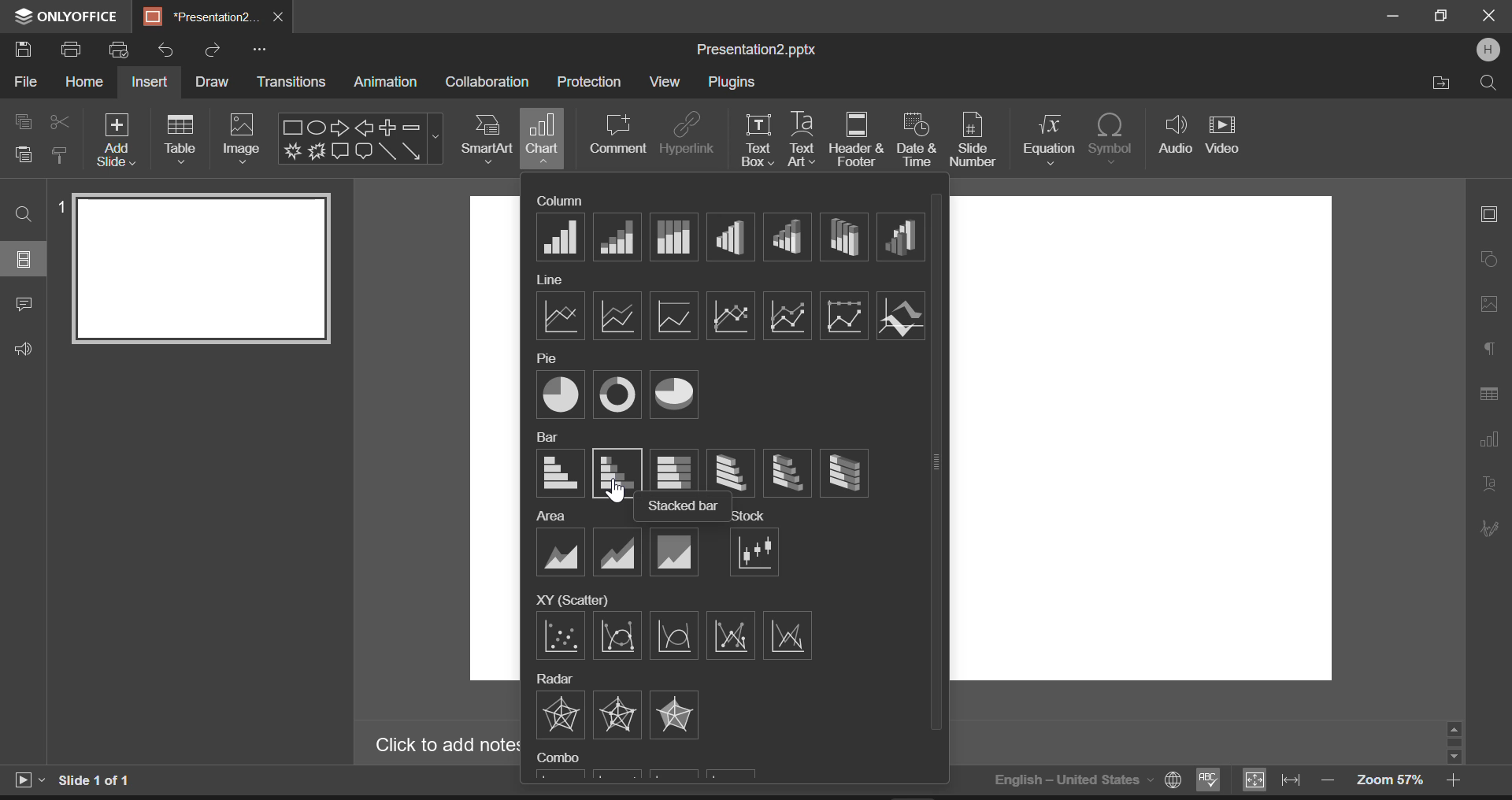 This screenshot has width=1512, height=800. What do you see at coordinates (1442, 83) in the screenshot?
I see `Open file Location` at bounding box center [1442, 83].